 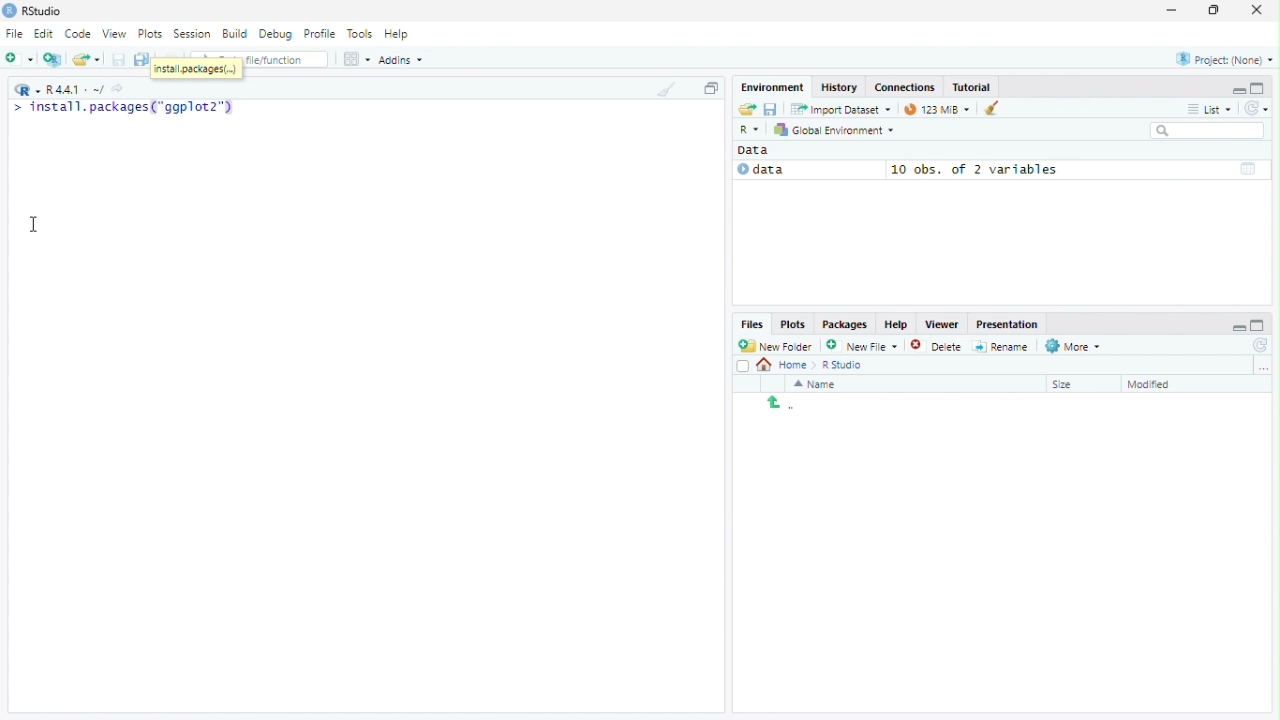 I want to click on Select all, so click(x=743, y=365).